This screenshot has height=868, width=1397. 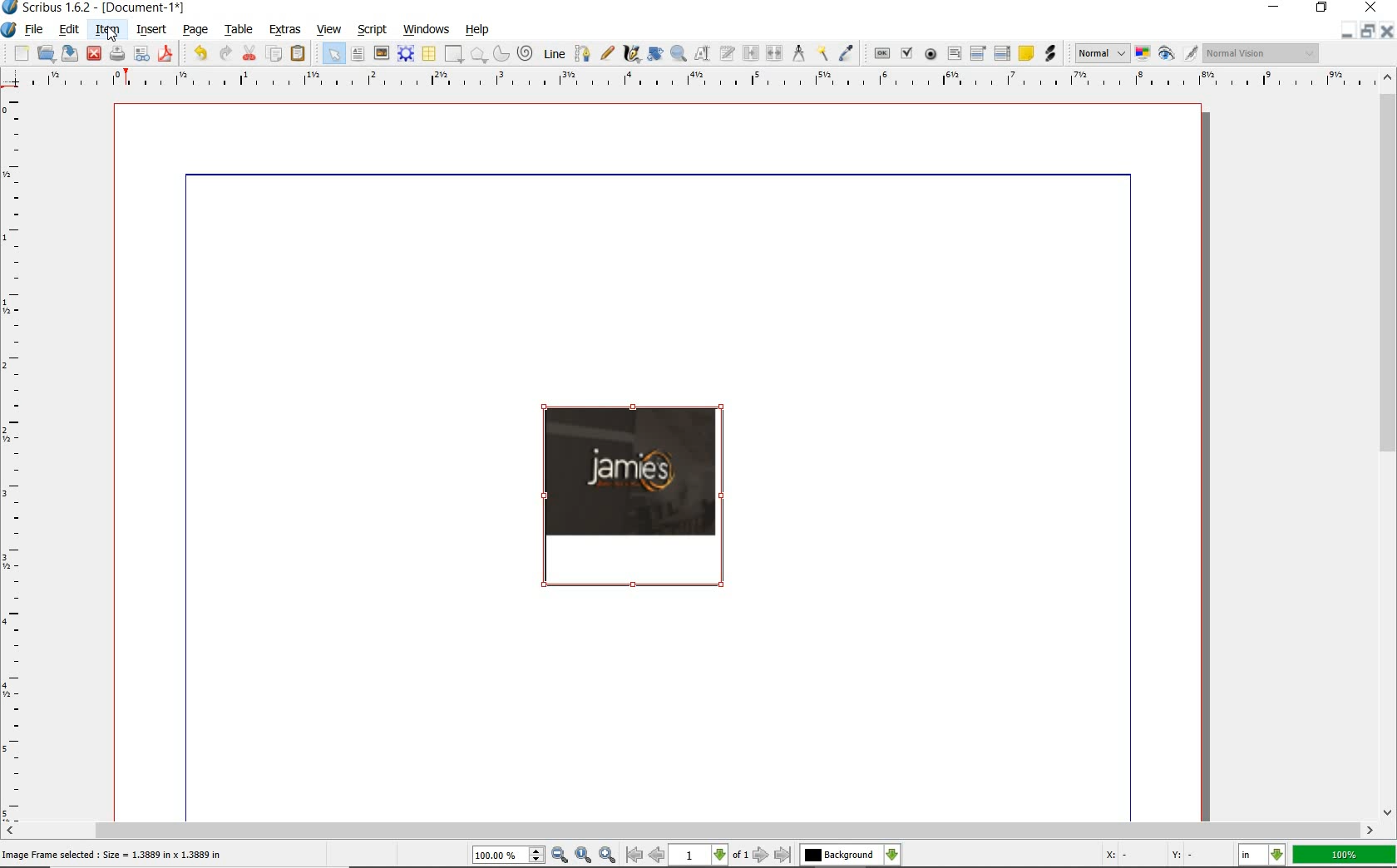 What do you see at coordinates (1345, 854) in the screenshot?
I see `zoom factor 100%` at bounding box center [1345, 854].